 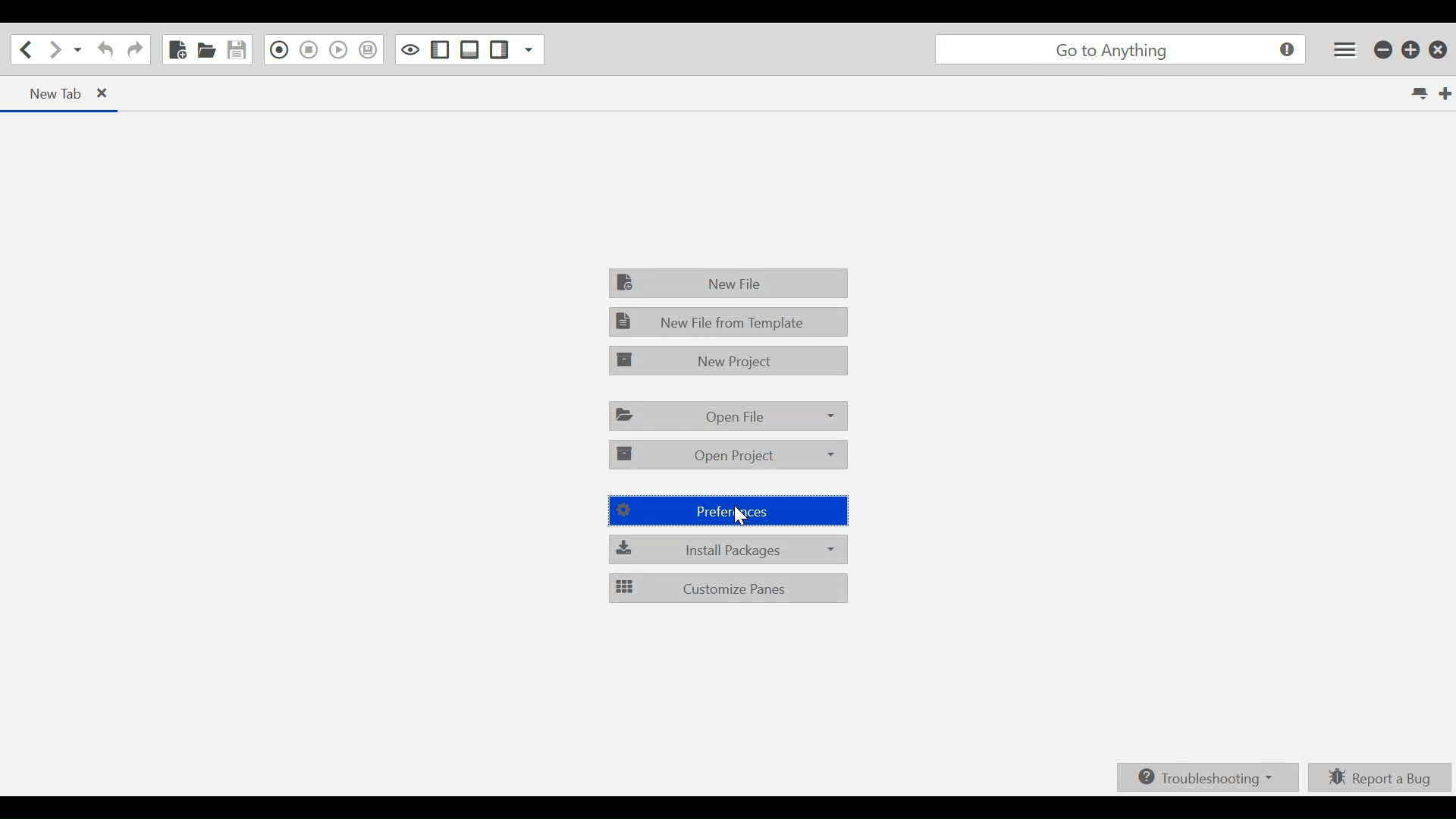 What do you see at coordinates (409, 49) in the screenshot?
I see `Toggle focus mode` at bounding box center [409, 49].